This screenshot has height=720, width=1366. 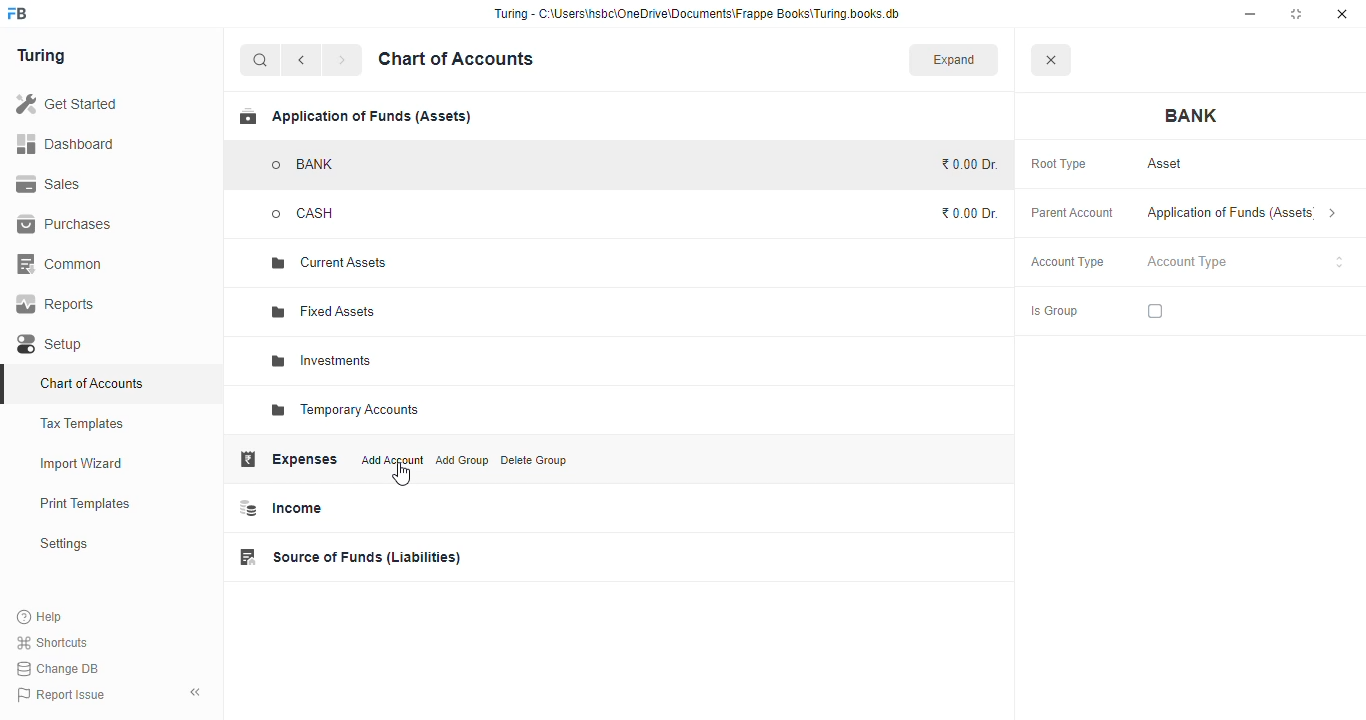 I want to click on fixed assets, so click(x=325, y=312).